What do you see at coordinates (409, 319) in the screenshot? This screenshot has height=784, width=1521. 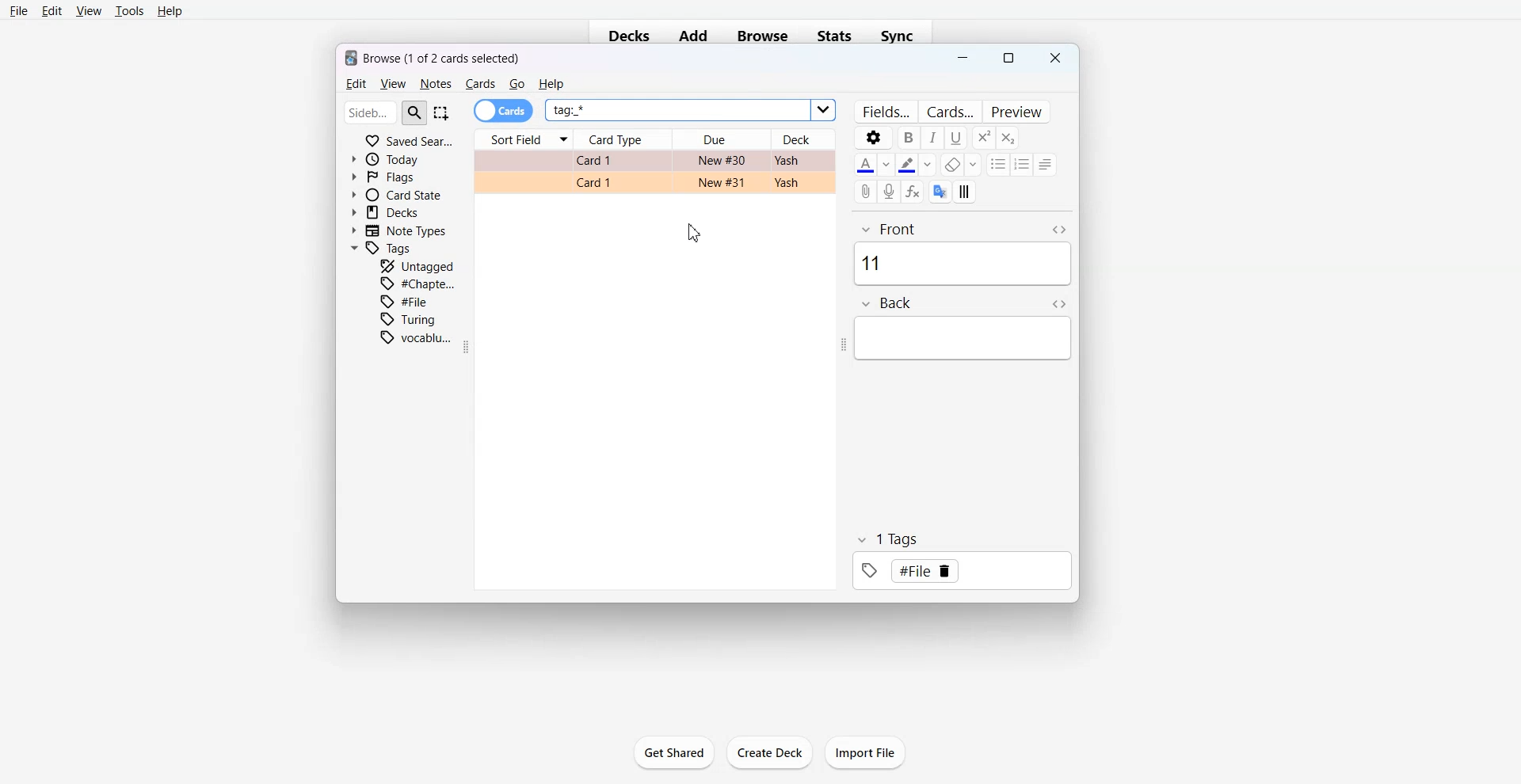 I see `Turing` at bounding box center [409, 319].